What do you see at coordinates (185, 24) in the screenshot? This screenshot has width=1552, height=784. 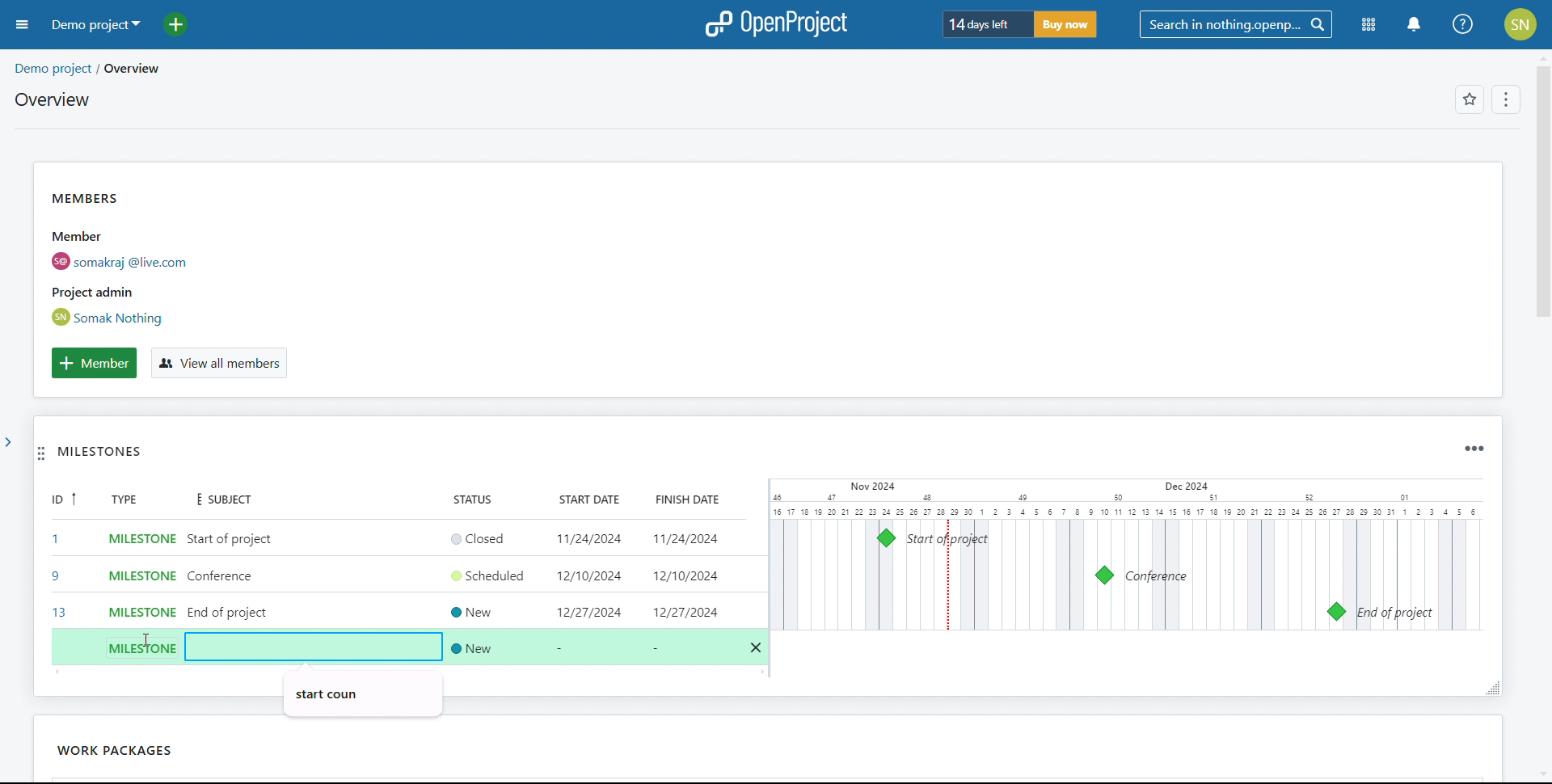 I see `add project` at bounding box center [185, 24].